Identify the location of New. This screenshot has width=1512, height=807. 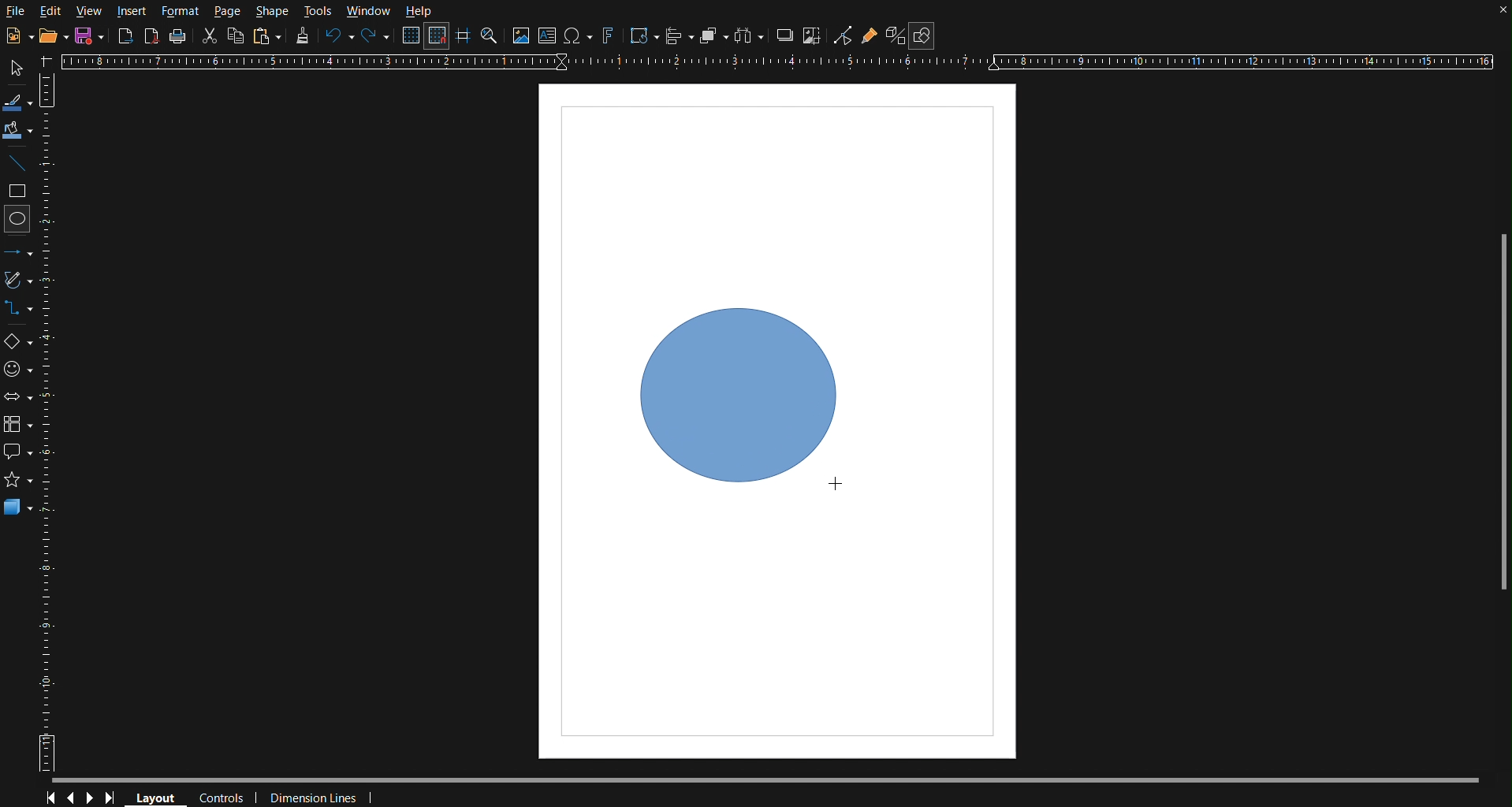
(87, 37).